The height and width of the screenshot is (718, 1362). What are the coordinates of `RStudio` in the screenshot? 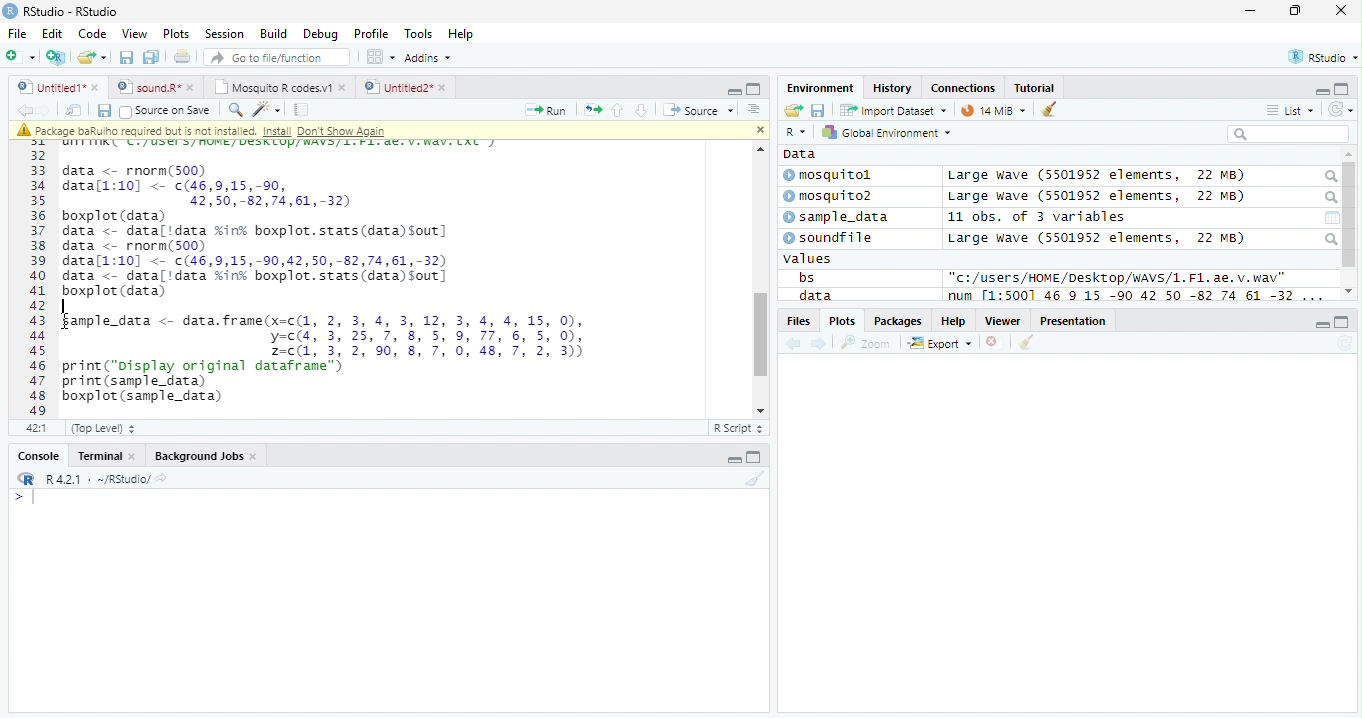 It's located at (1321, 56).